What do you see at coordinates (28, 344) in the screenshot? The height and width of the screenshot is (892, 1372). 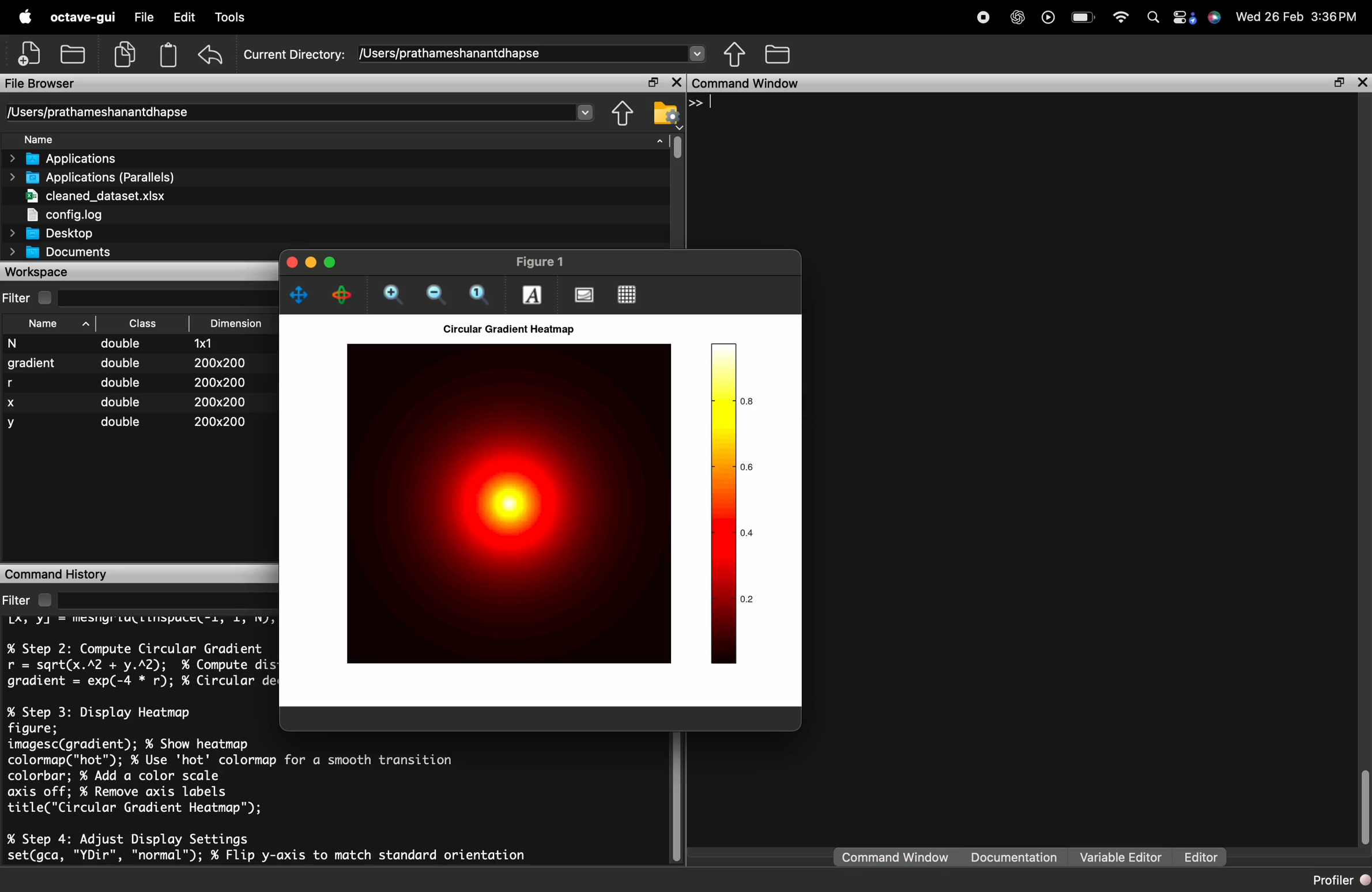 I see `N` at bounding box center [28, 344].